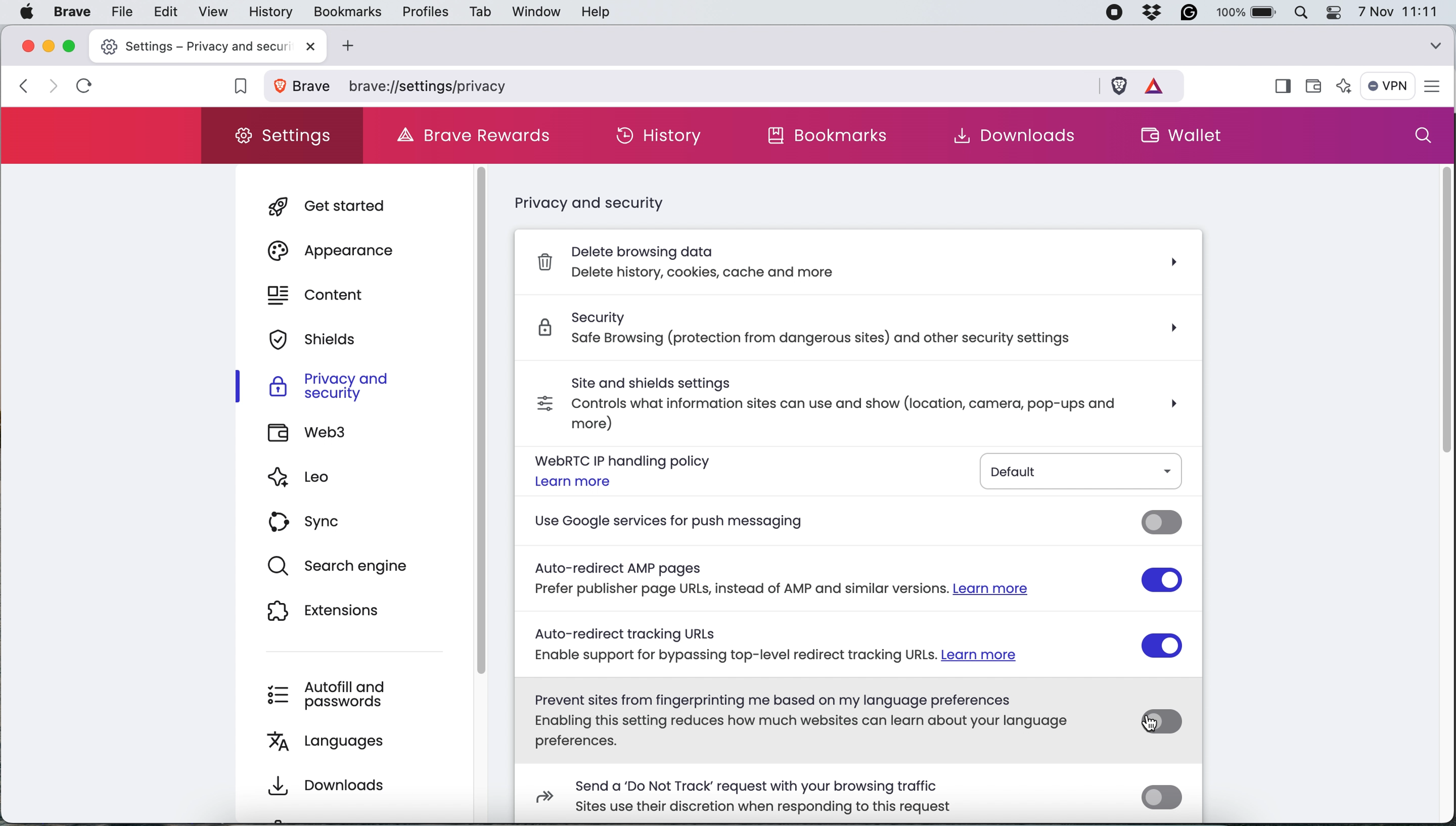 The height and width of the screenshot is (826, 1456). Describe the element at coordinates (344, 205) in the screenshot. I see `get started` at that location.